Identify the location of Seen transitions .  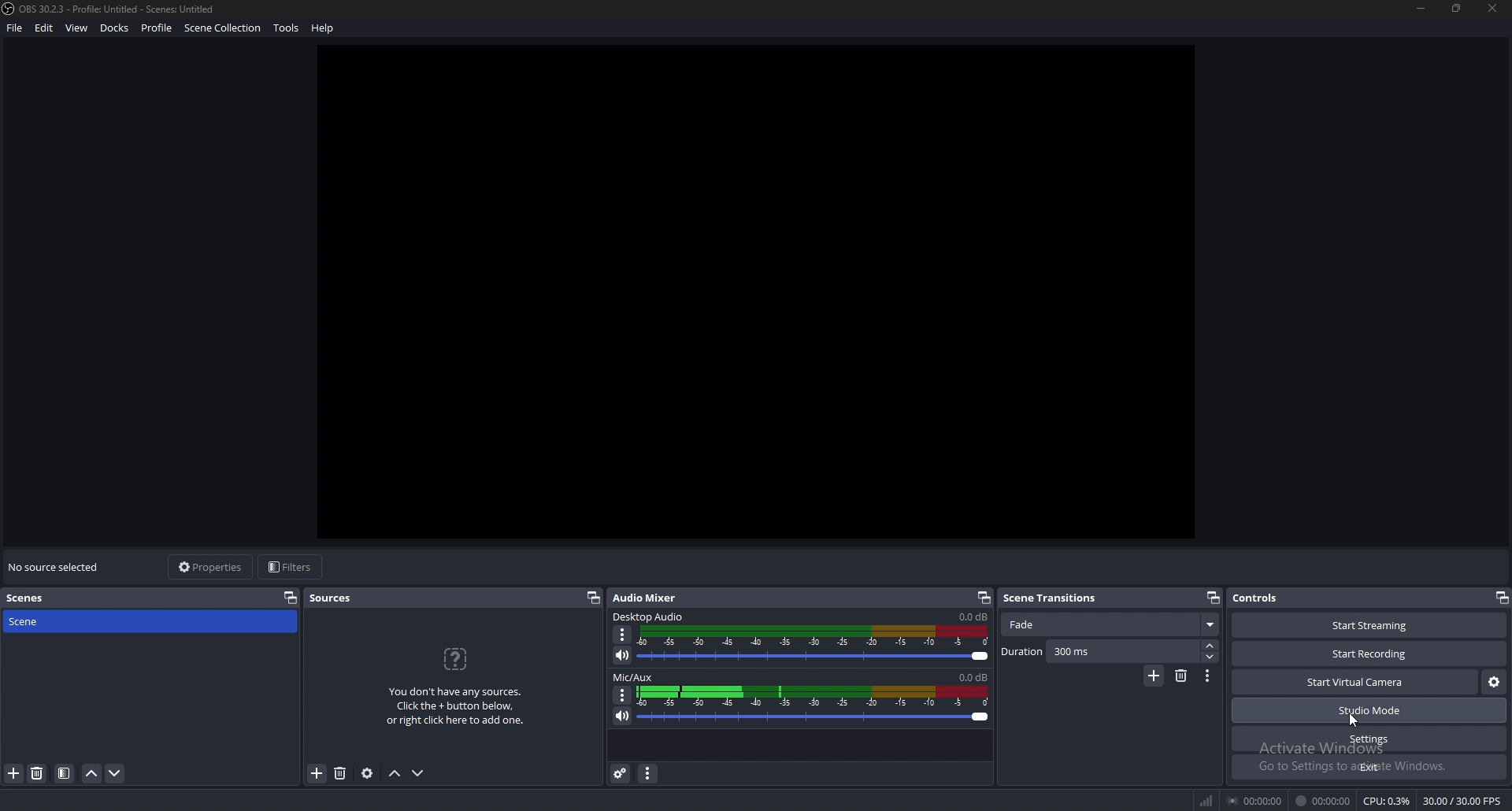
(1054, 597).